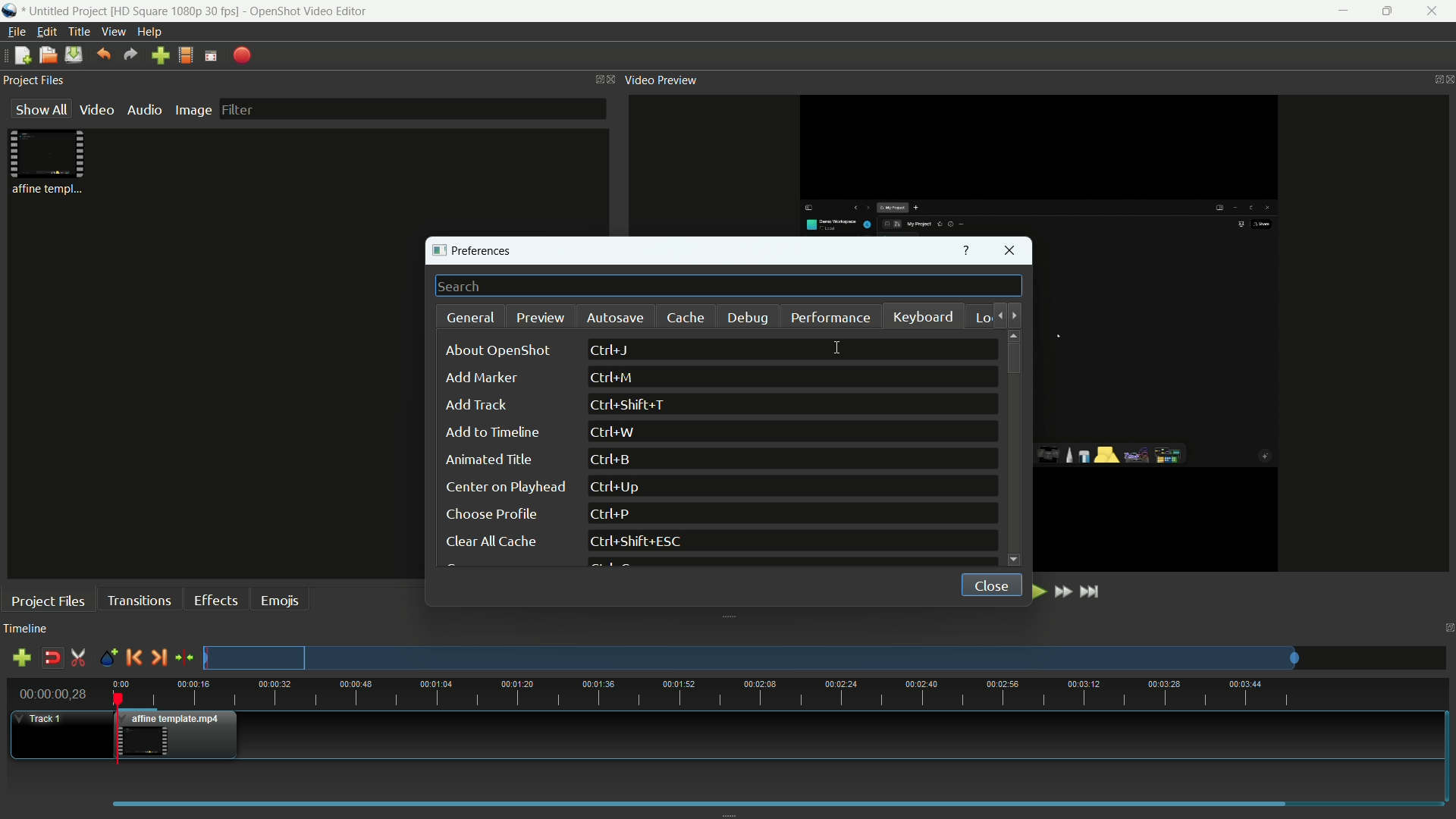 This screenshot has height=819, width=1456. What do you see at coordinates (611, 350) in the screenshot?
I see `keyboard shortcut` at bounding box center [611, 350].